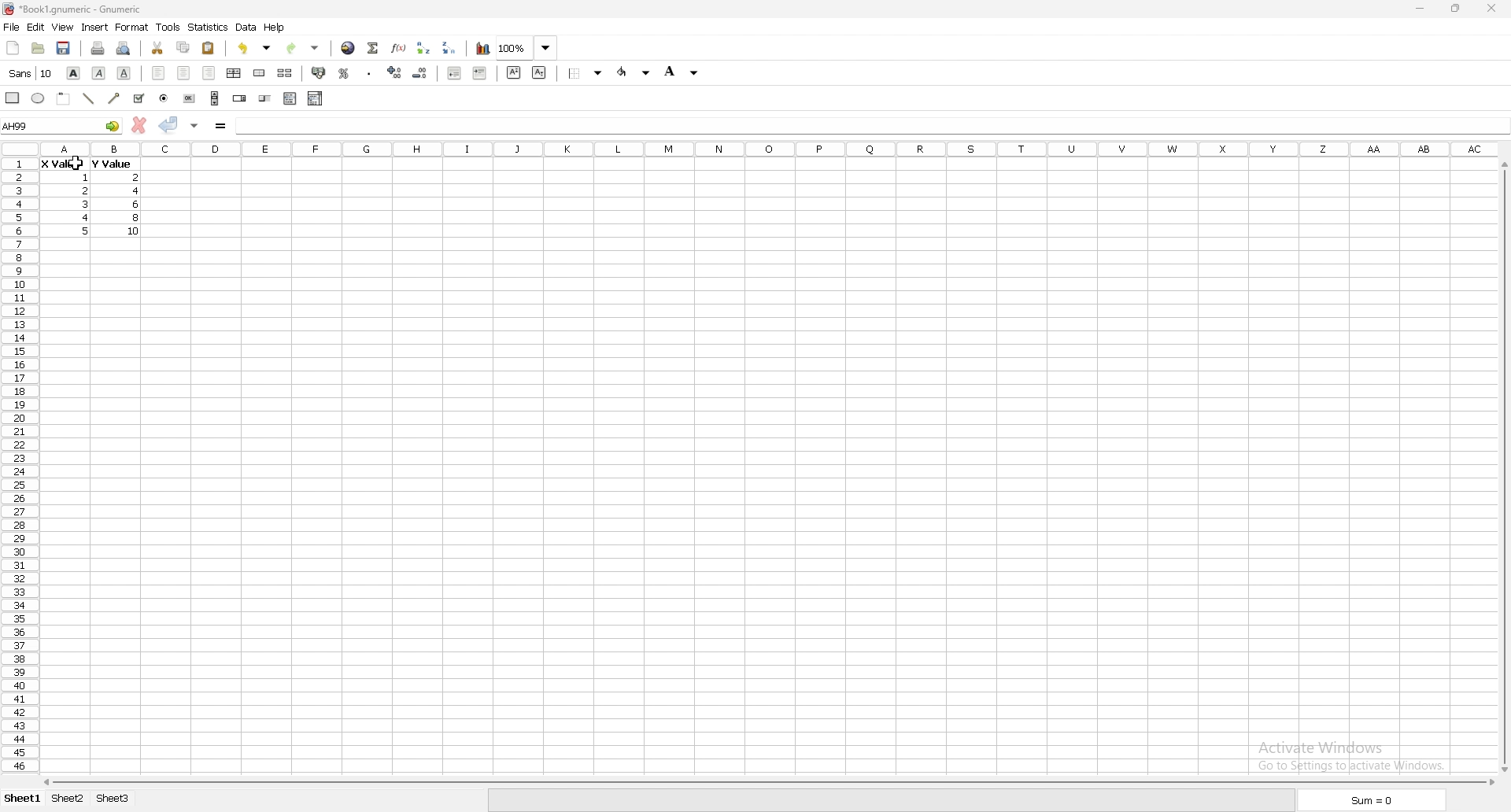  What do you see at coordinates (64, 98) in the screenshot?
I see `frame` at bounding box center [64, 98].